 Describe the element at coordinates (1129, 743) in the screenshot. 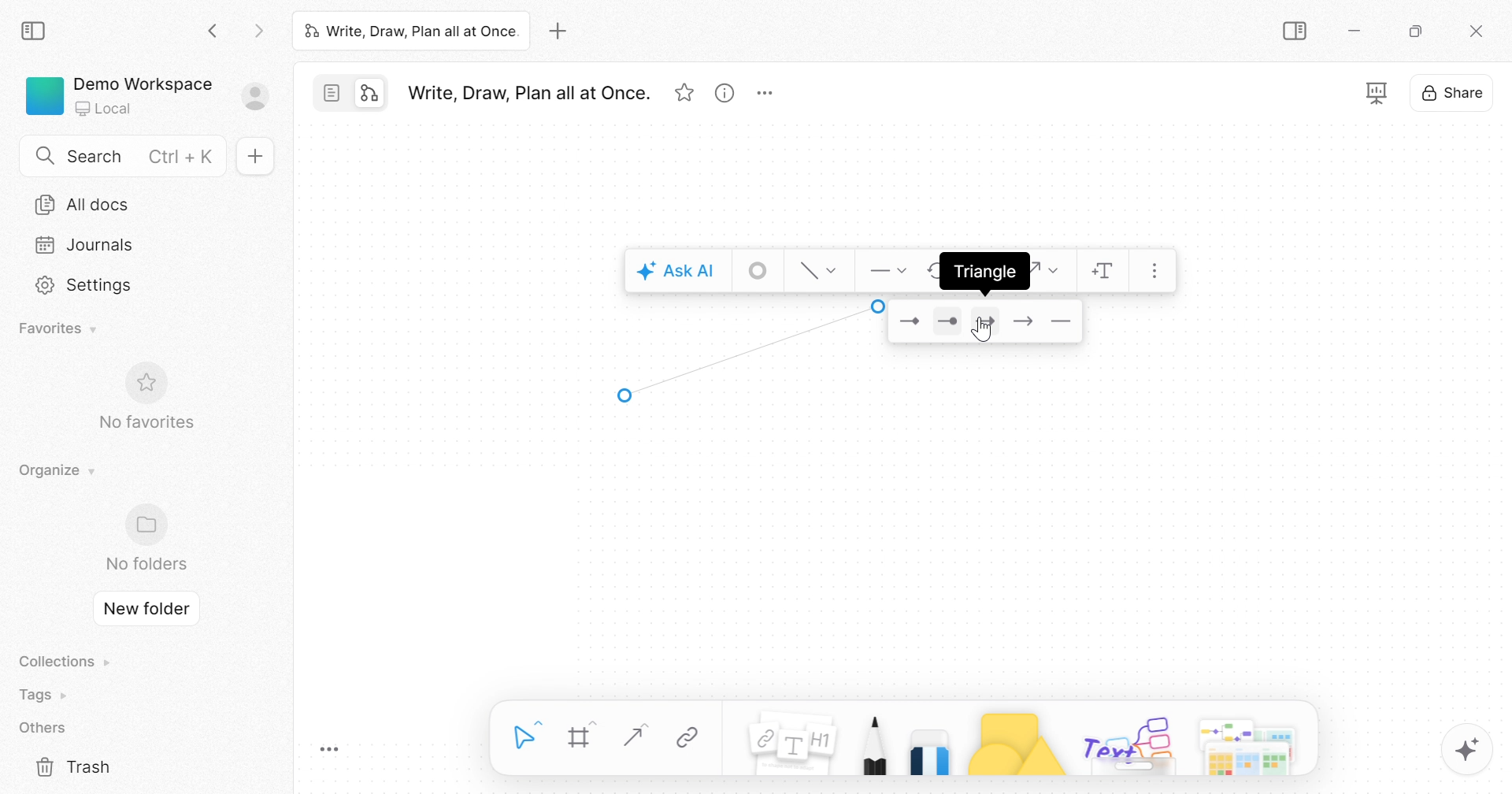

I see `Others` at that location.